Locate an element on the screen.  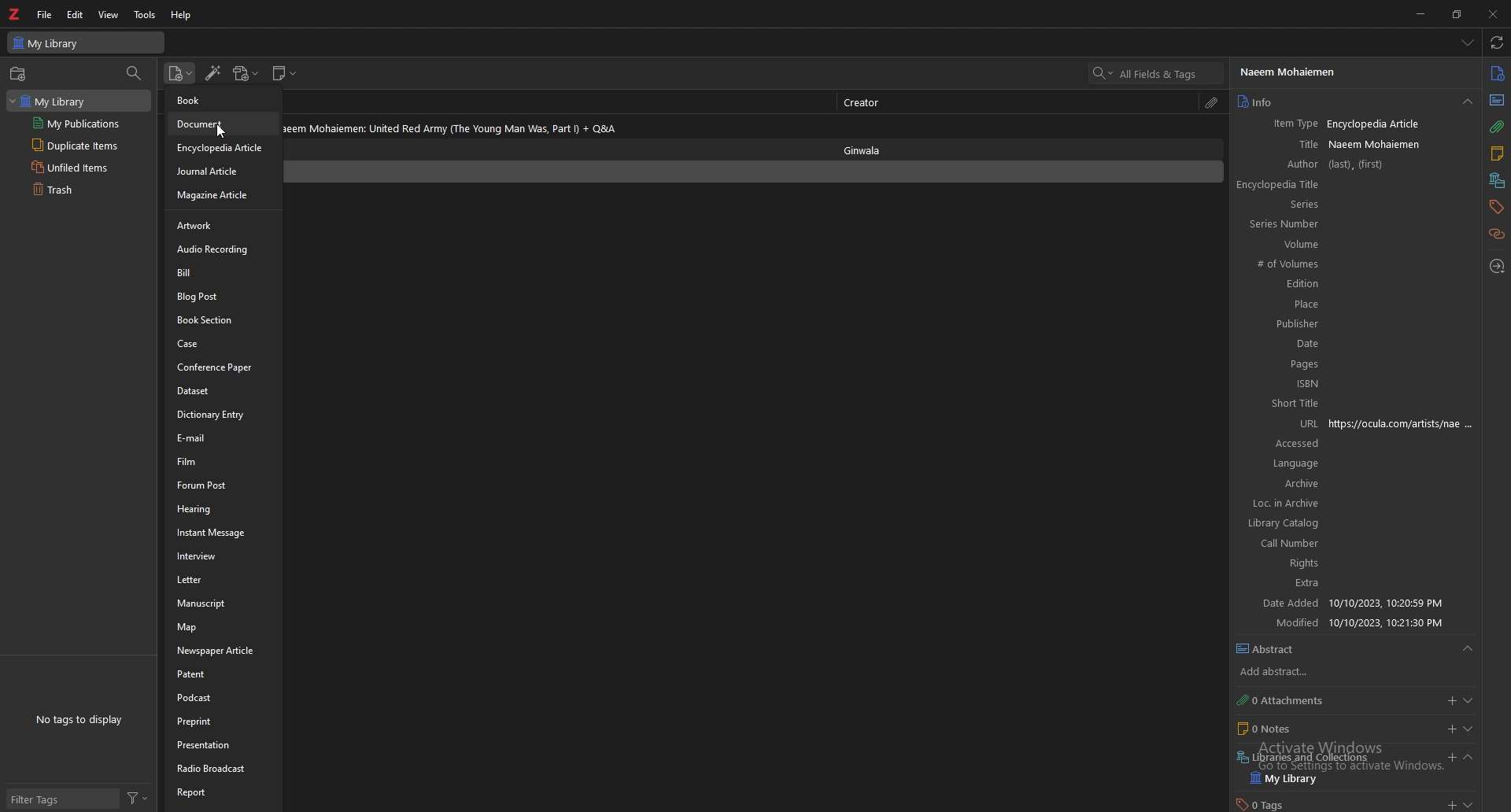
encyclopedia title is located at coordinates (1279, 185).